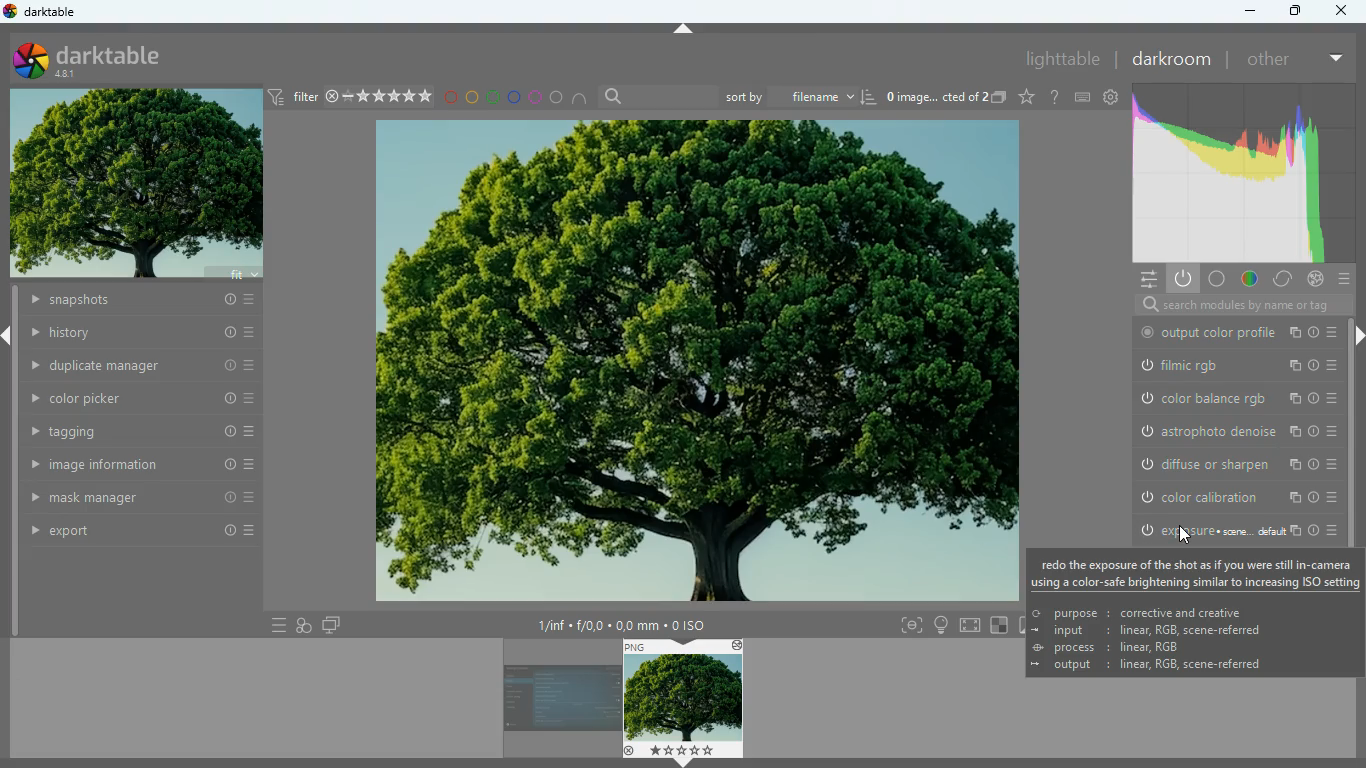  Describe the element at coordinates (1113, 97) in the screenshot. I see `settings` at that location.